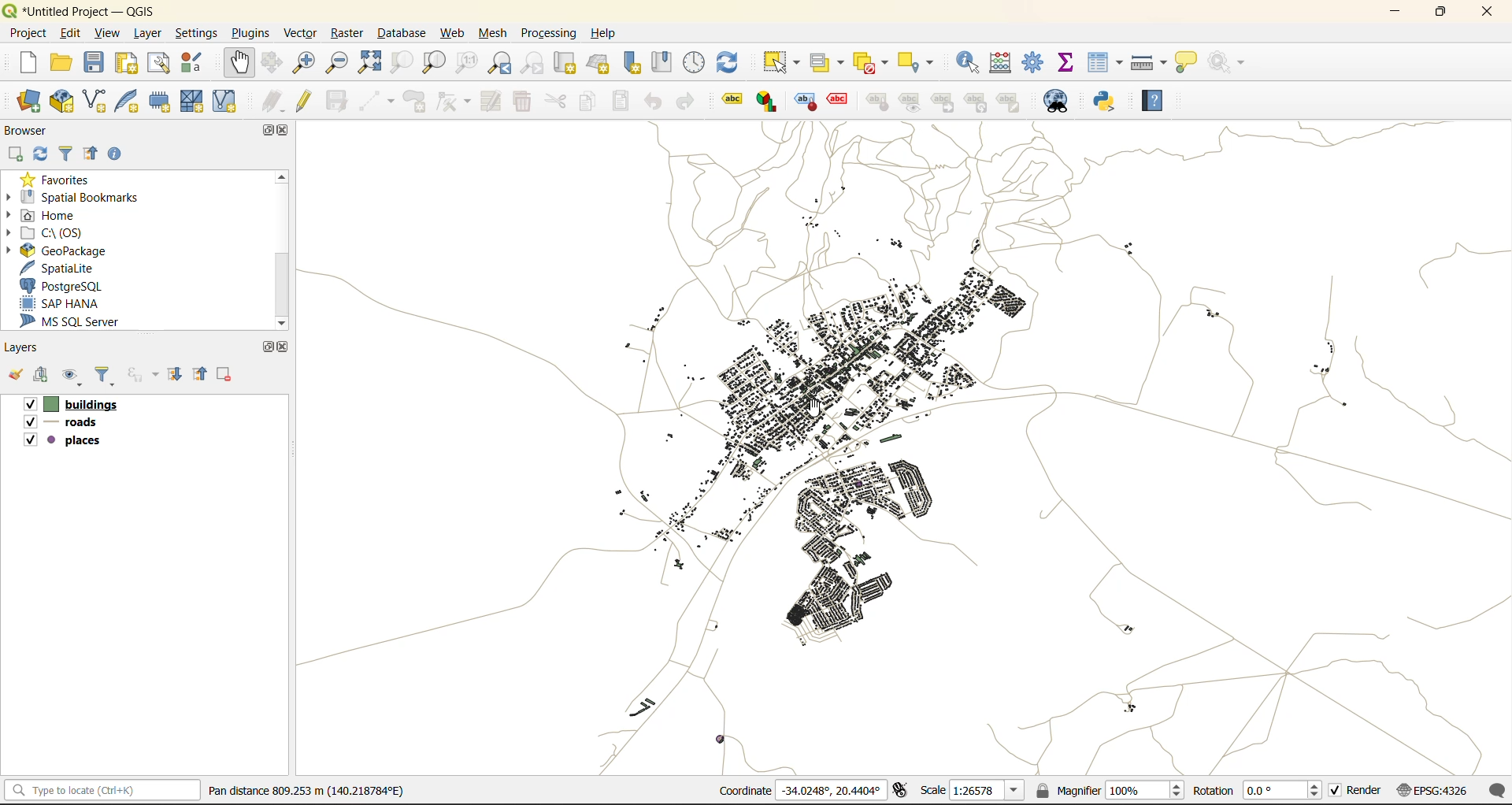 The height and width of the screenshot is (805, 1512). What do you see at coordinates (69, 153) in the screenshot?
I see `filter` at bounding box center [69, 153].